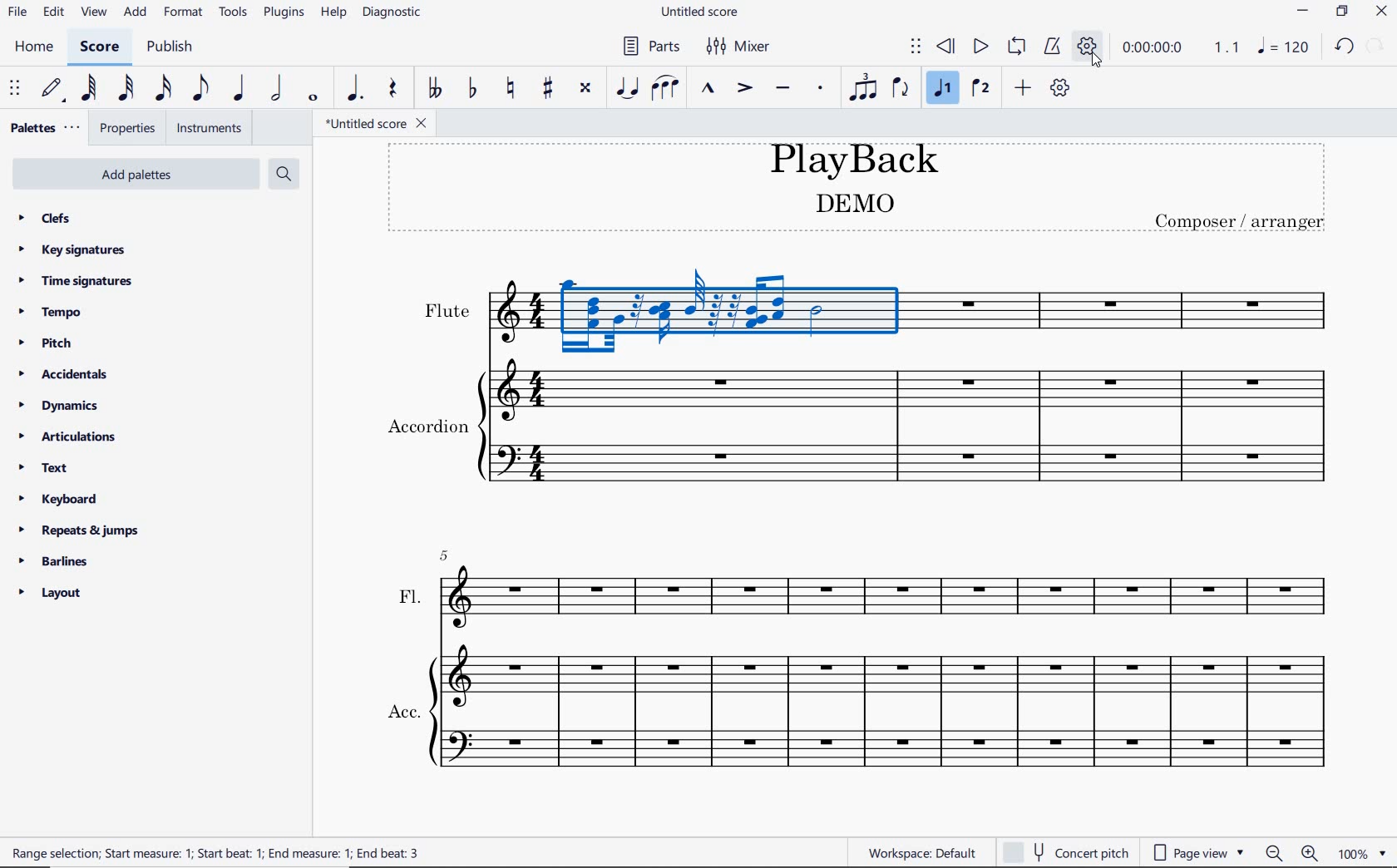  What do you see at coordinates (128, 90) in the screenshot?
I see `32nd note` at bounding box center [128, 90].